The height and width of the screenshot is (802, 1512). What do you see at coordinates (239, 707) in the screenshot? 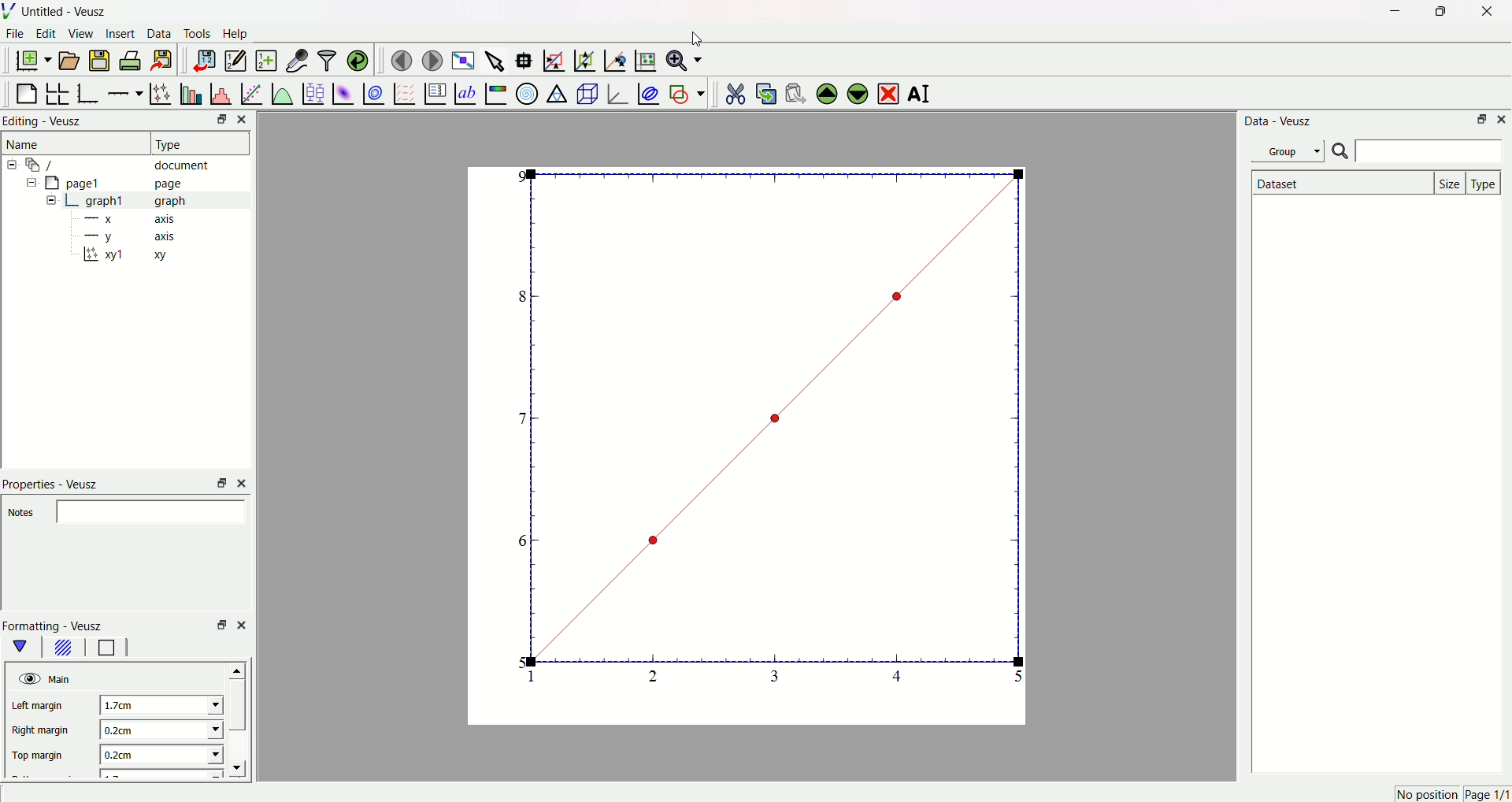
I see `scroll bar` at bounding box center [239, 707].